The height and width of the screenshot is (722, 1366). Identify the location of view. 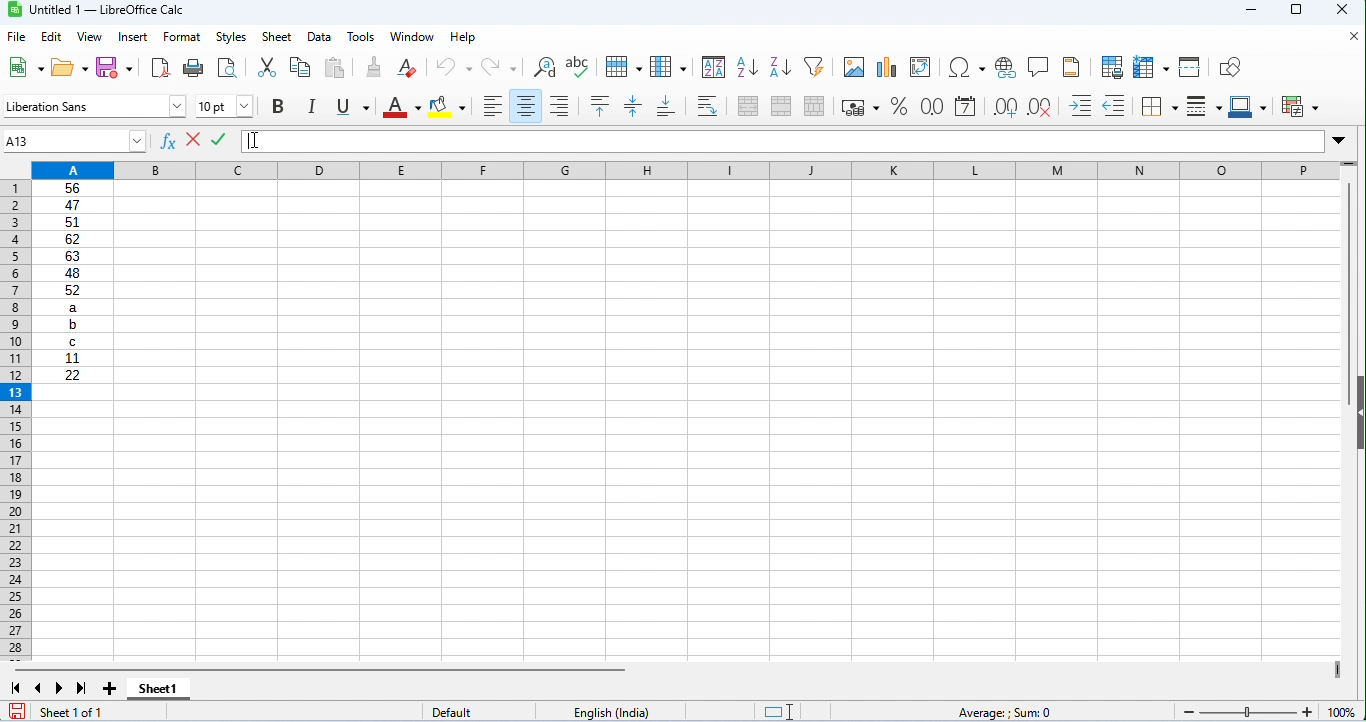
(88, 37).